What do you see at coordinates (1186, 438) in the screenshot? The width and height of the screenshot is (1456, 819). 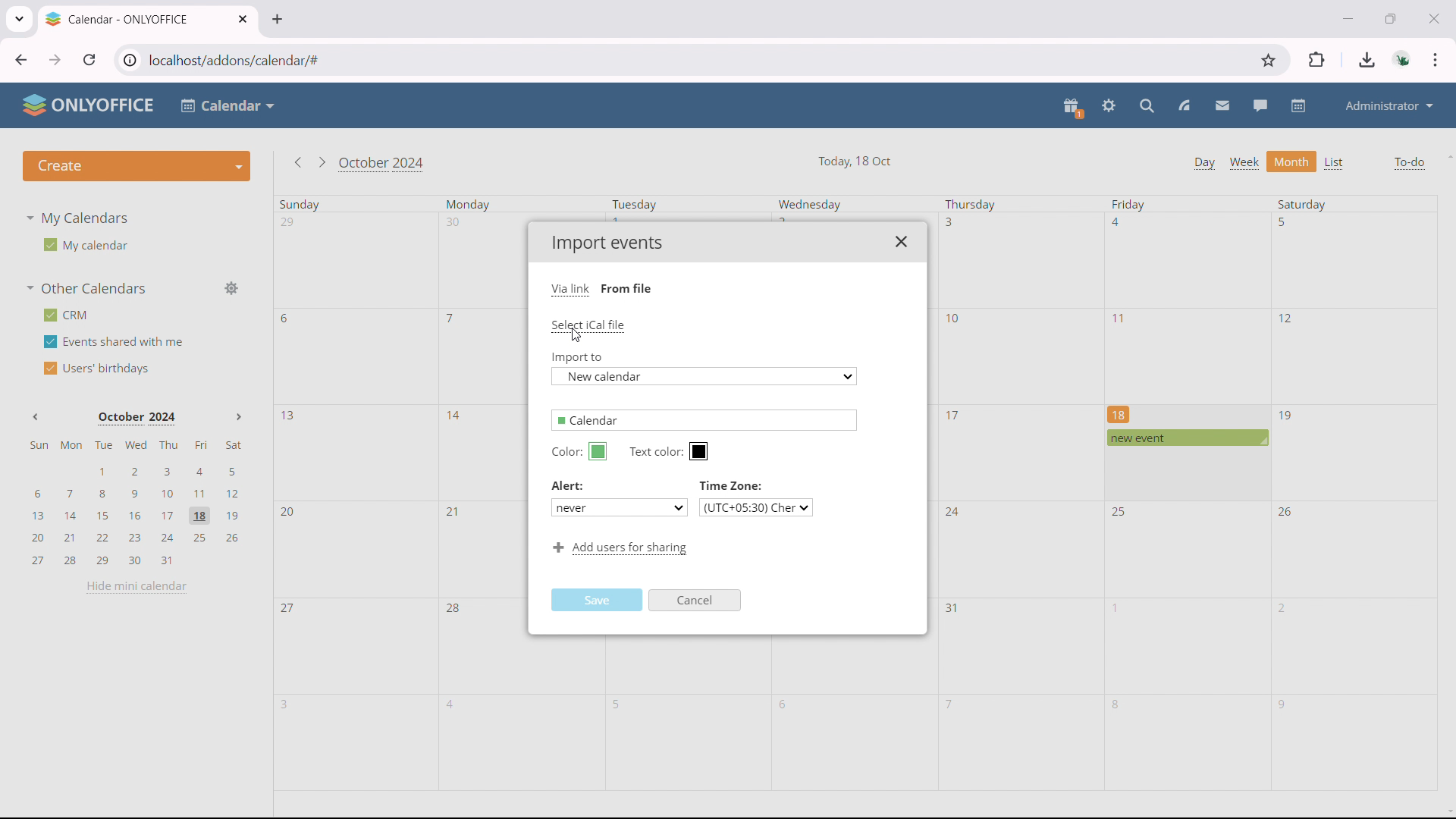 I see `scheduled event` at bounding box center [1186, 438].